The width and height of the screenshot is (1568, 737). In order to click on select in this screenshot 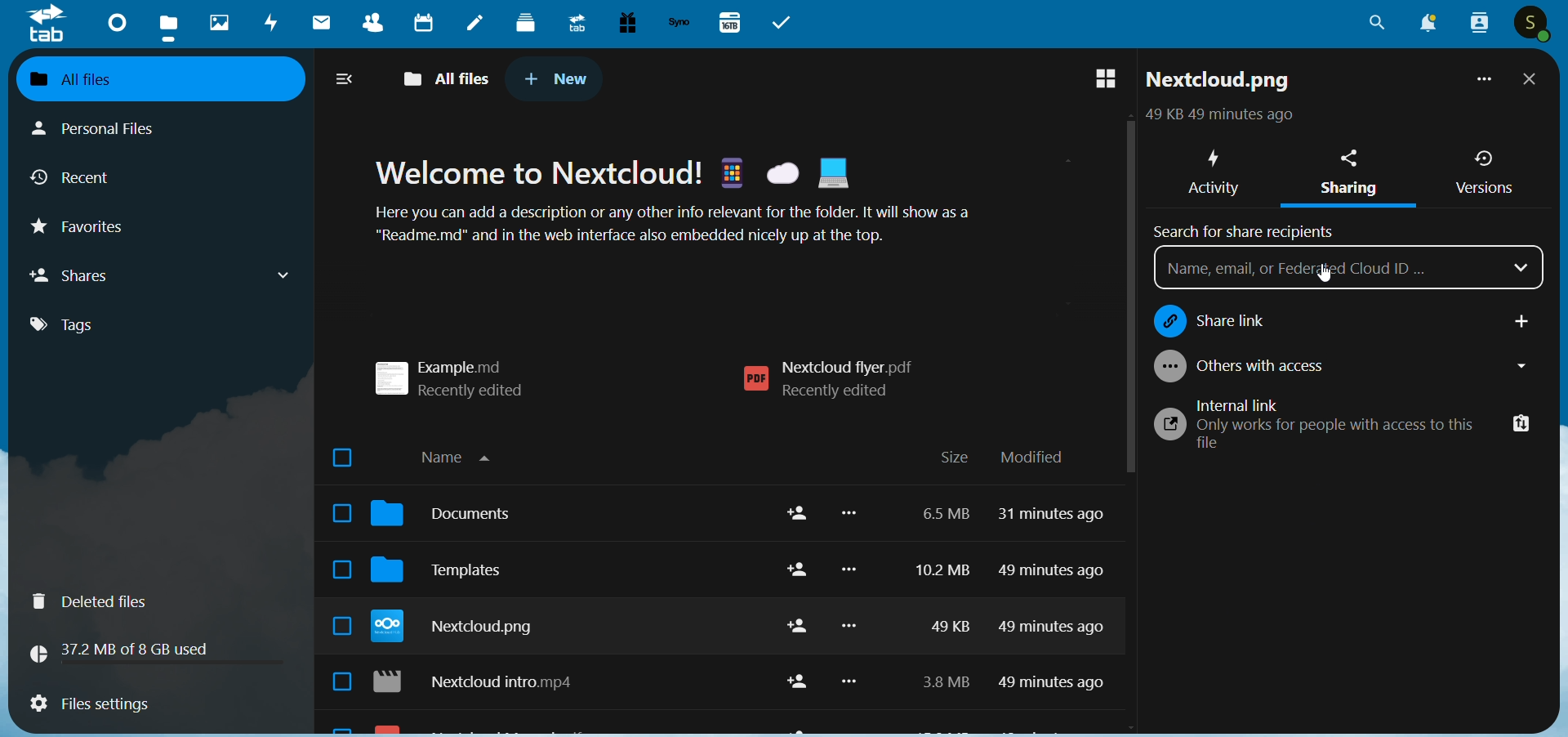, I will do `click(335, 572)`.